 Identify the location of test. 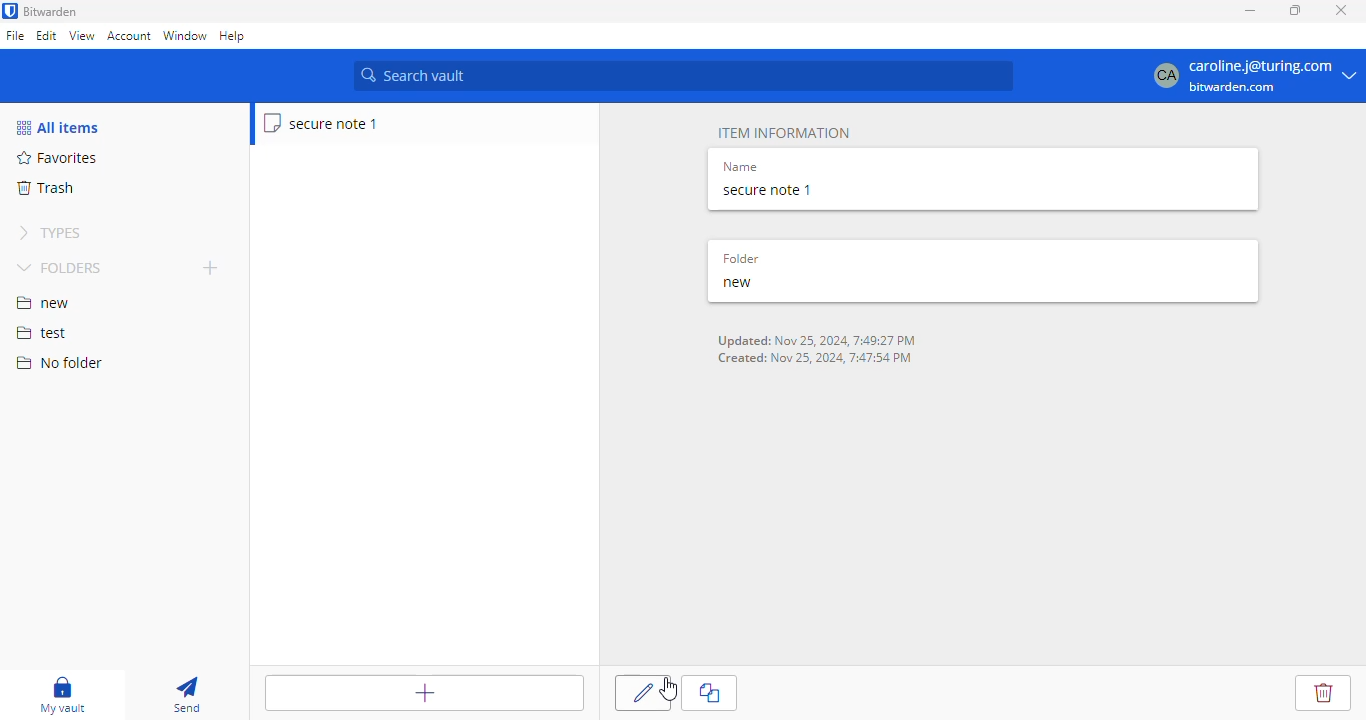
(42, 334).